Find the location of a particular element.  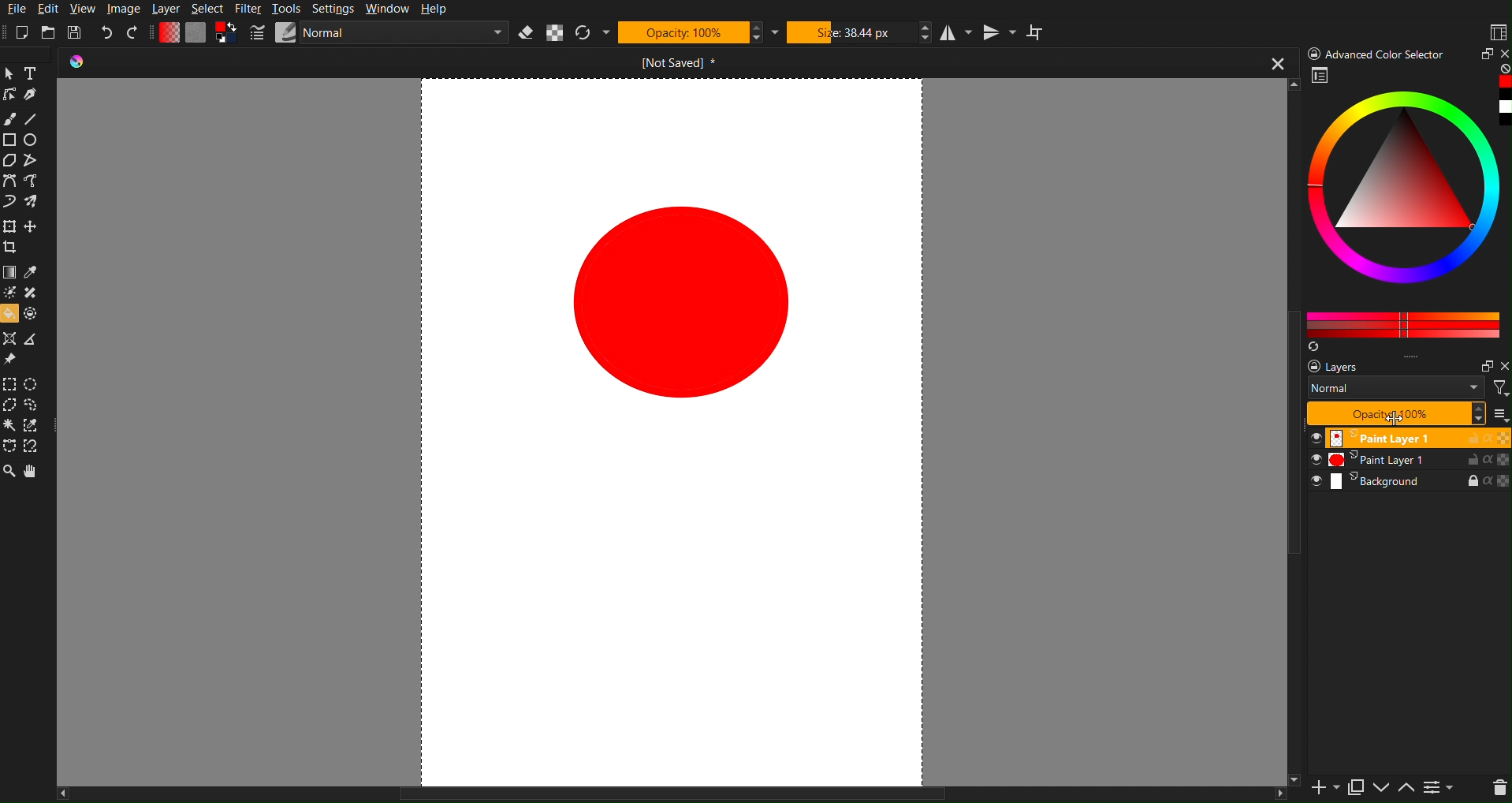

Assistant is located at coordinates (9, 338).